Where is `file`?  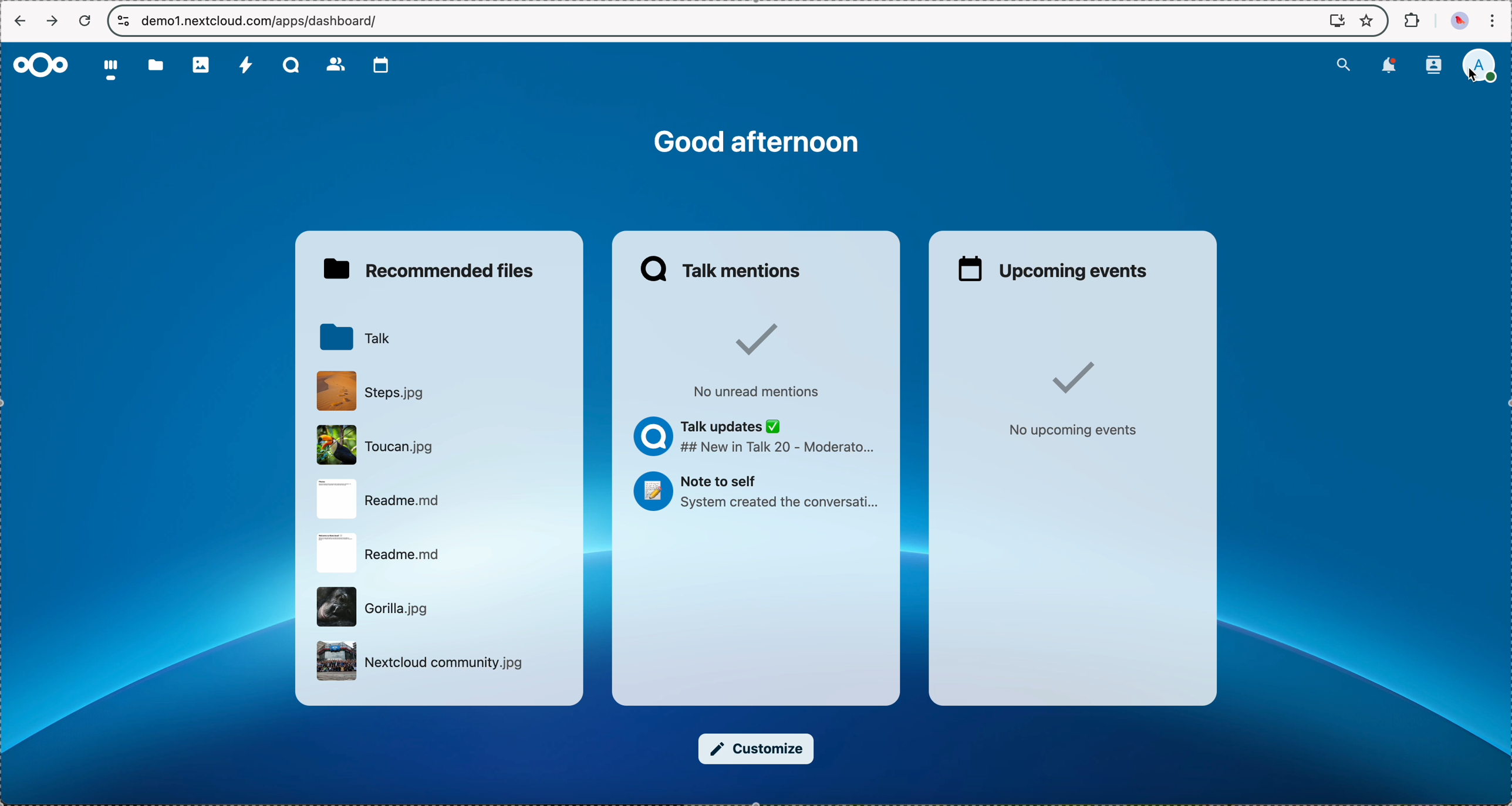
file is located at coordinates (384, 500).